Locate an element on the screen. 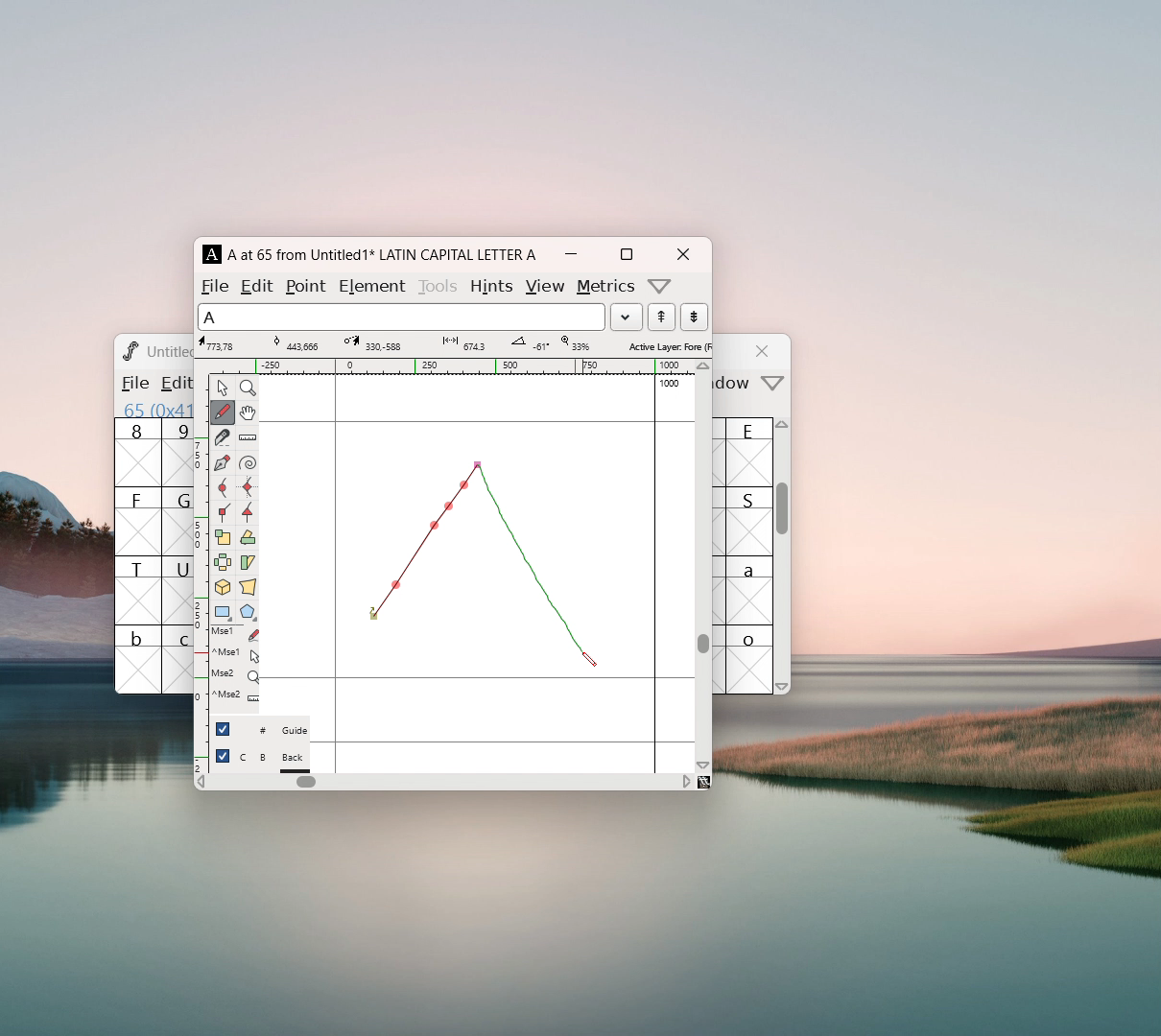 This screenshot has width=1161, height=1036. show the next word in the wordlist is located at coordinates (661, 318).